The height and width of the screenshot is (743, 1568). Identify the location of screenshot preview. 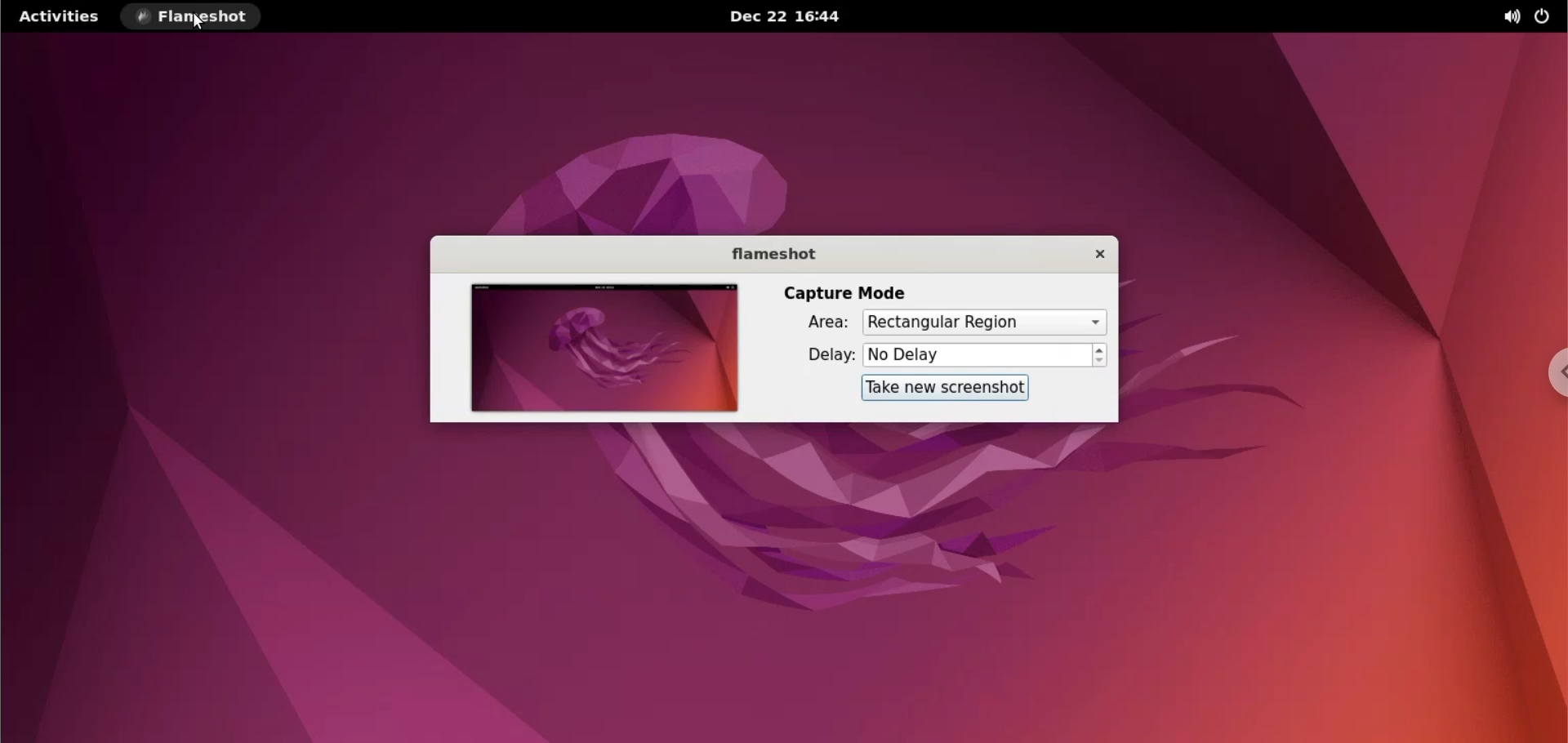
(601, 349).